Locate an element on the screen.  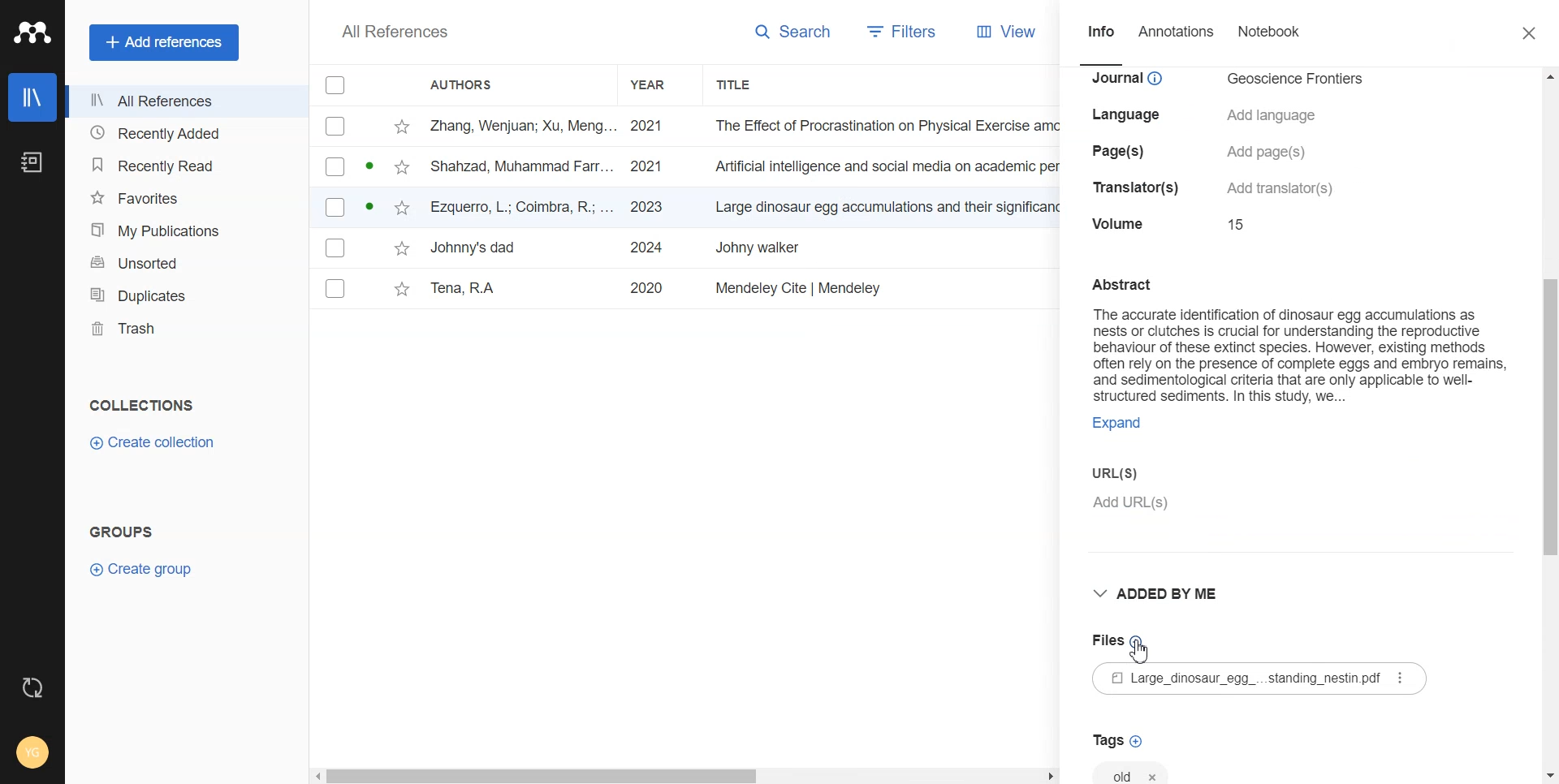
details is located at coordinates (1132, 115).